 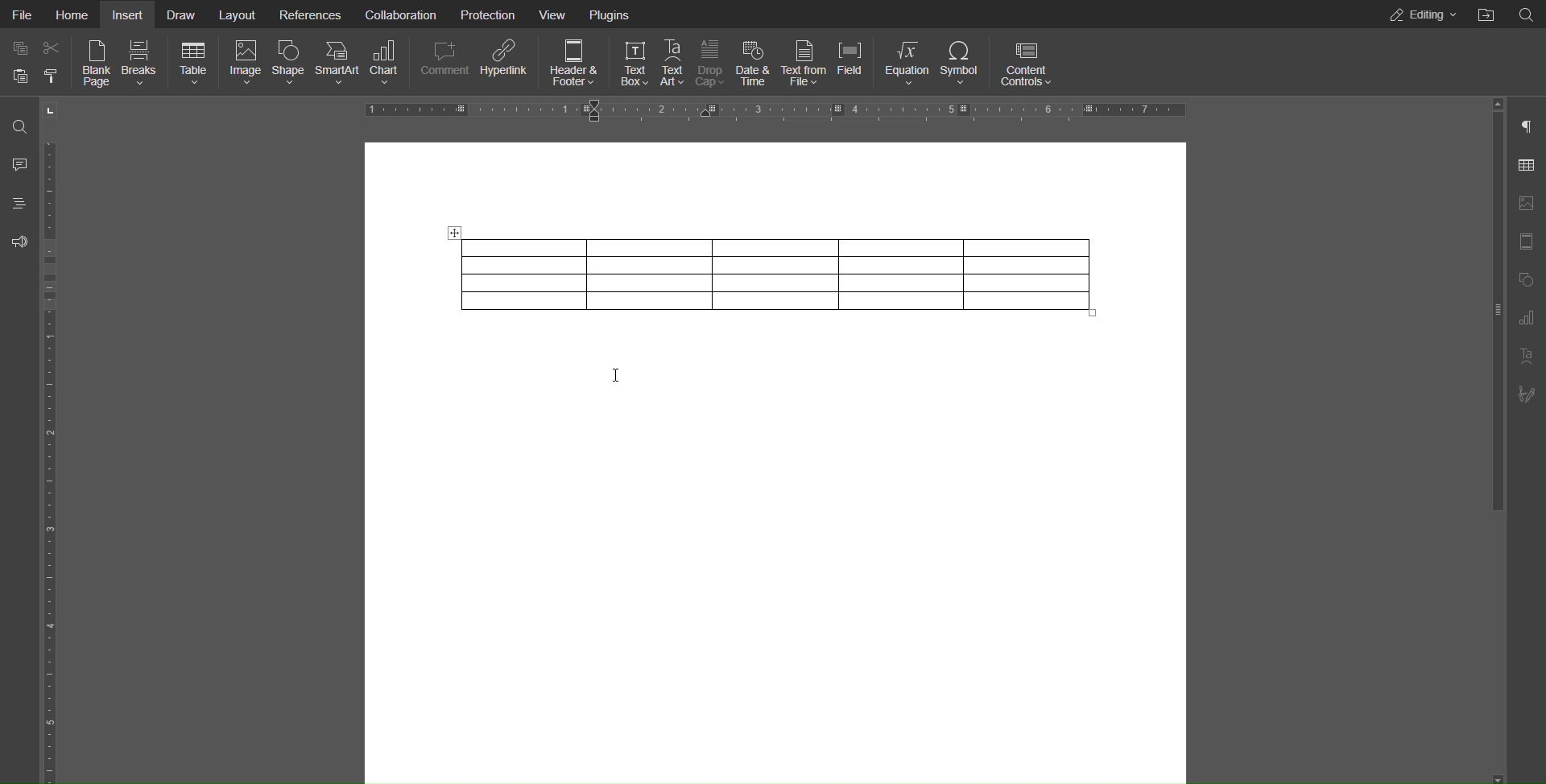 What do you see at coordinates (18, 161) in the screenshot?
I see `Comment` at bounding box center [18, 161].